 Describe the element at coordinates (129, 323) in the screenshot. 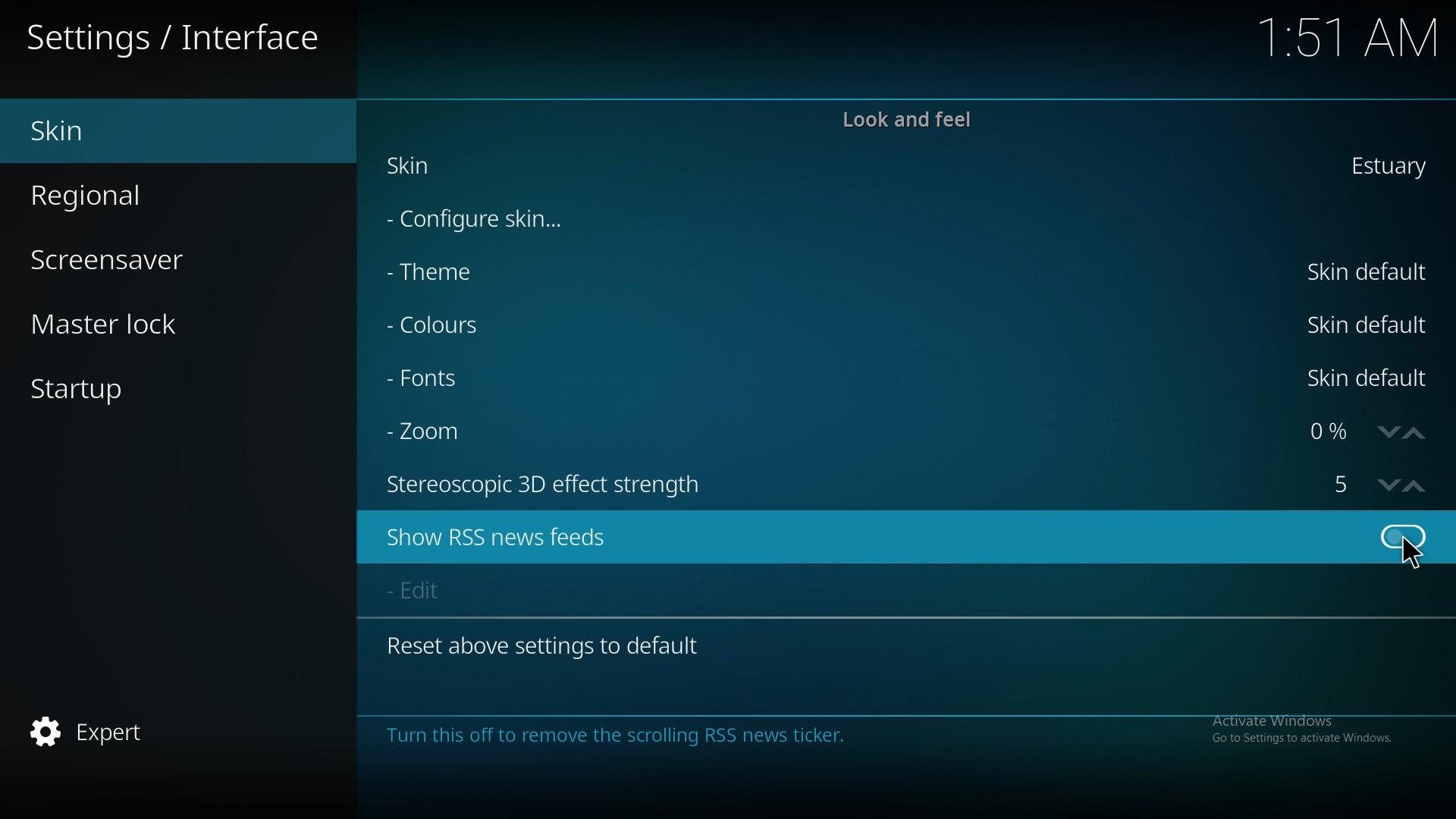

I see `master lock` at that location.